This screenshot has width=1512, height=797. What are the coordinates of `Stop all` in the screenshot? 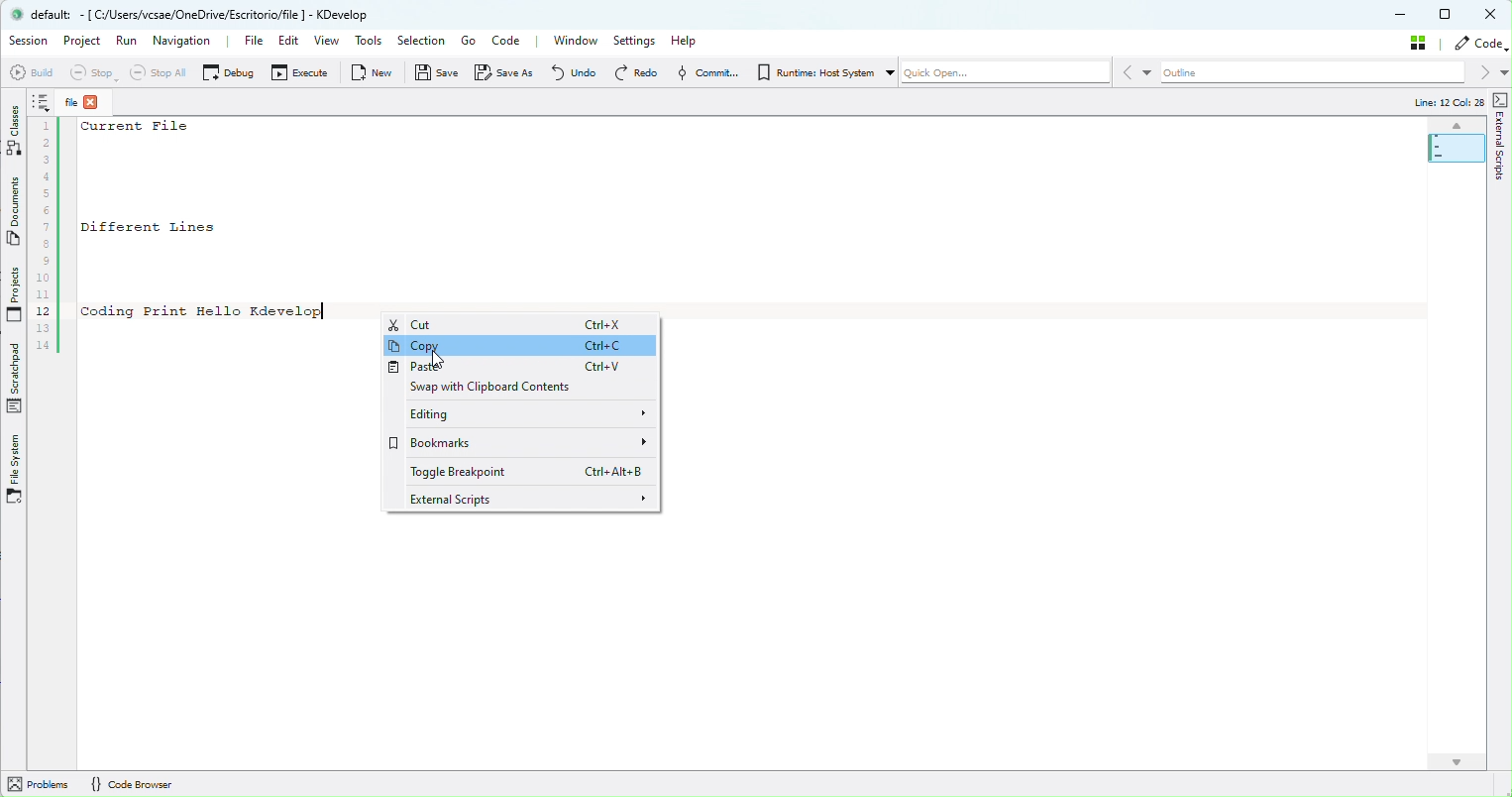 It's located at (162, 70).